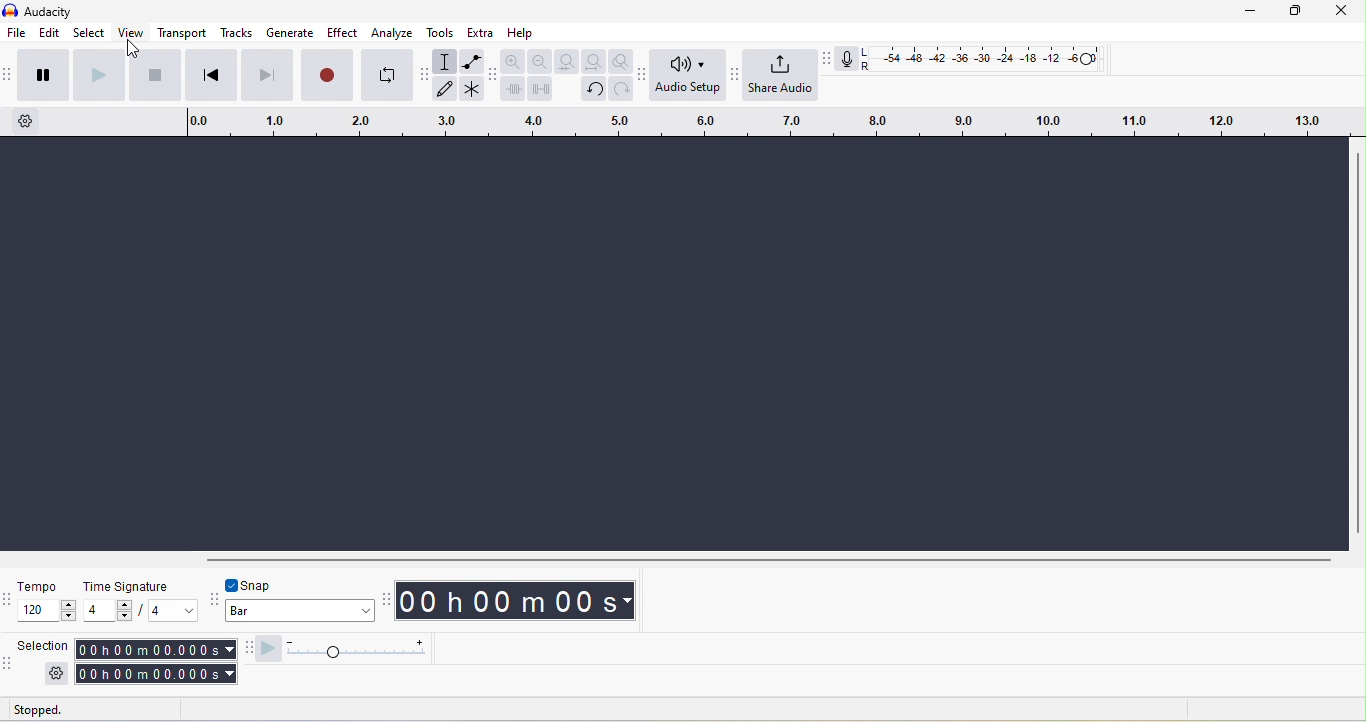 This screenshot has width=1366, height=722. What do you see at coordinates (290, 32) in the screenshot?
I see `generate` at bounding box center [290, 32].